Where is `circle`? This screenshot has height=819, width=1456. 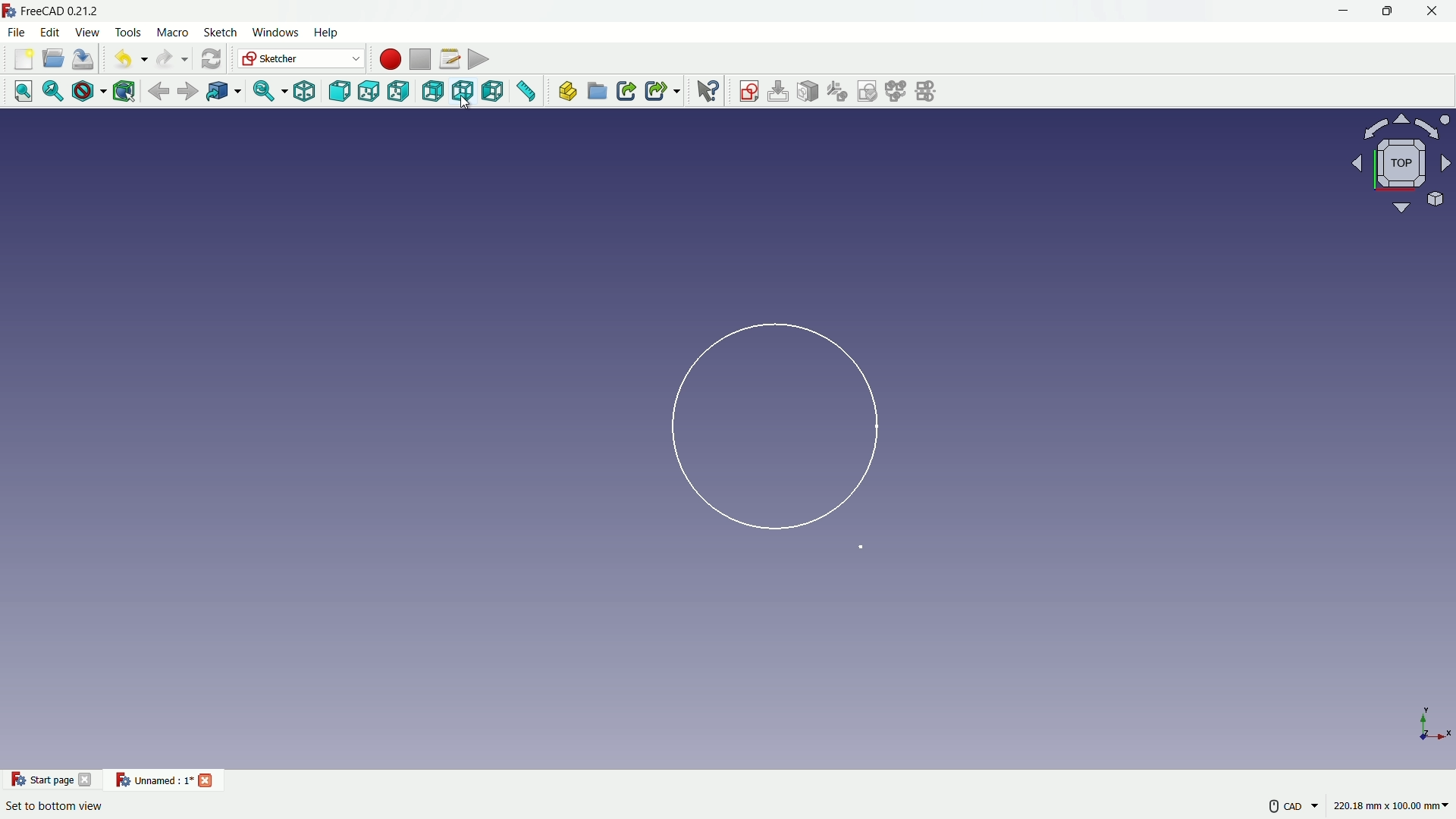
circle is located at coordinates (769, 429).